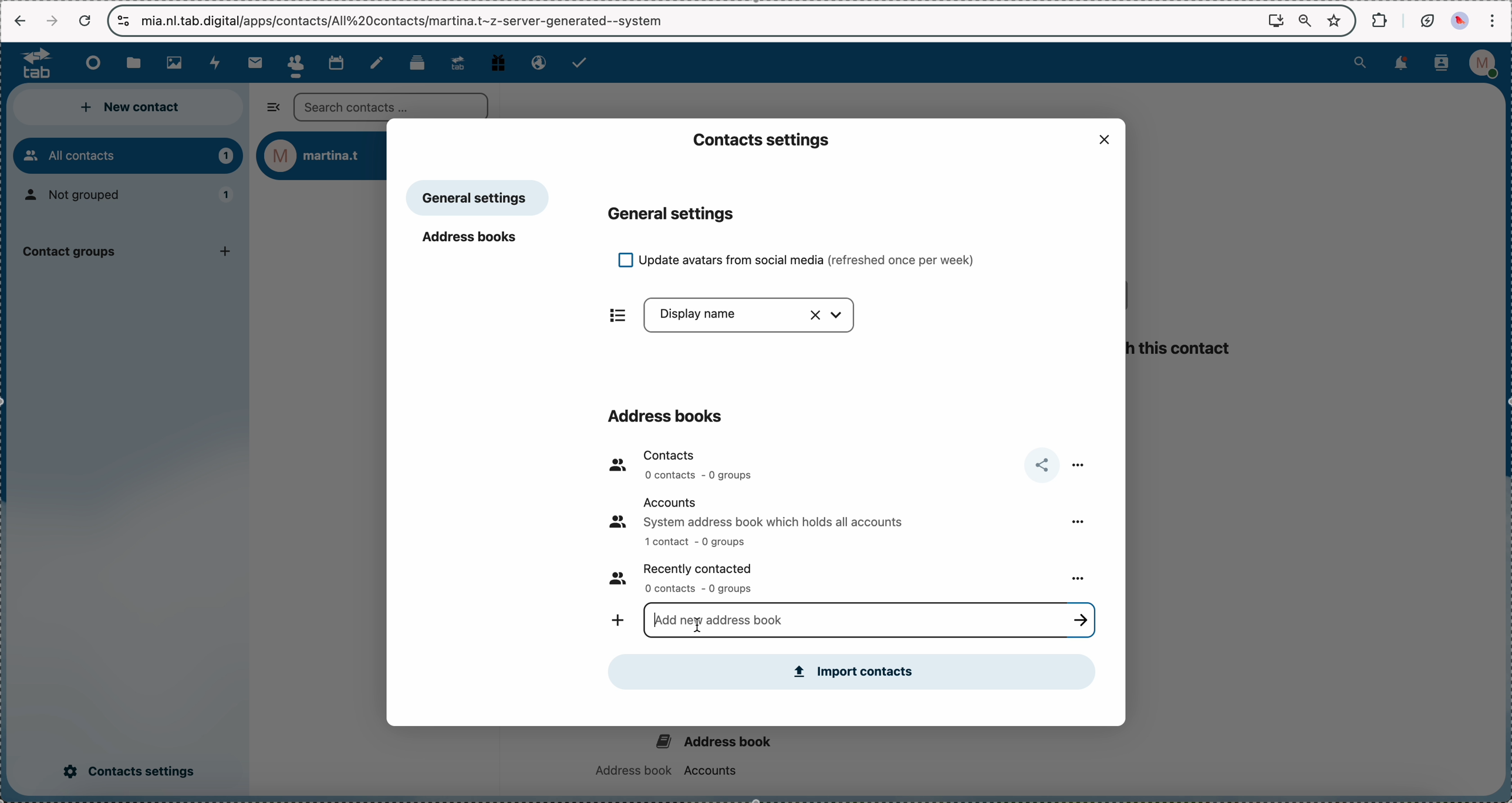  Describe the element at coordinates (176, 63) in the screenshot. I see `photos` at that location.